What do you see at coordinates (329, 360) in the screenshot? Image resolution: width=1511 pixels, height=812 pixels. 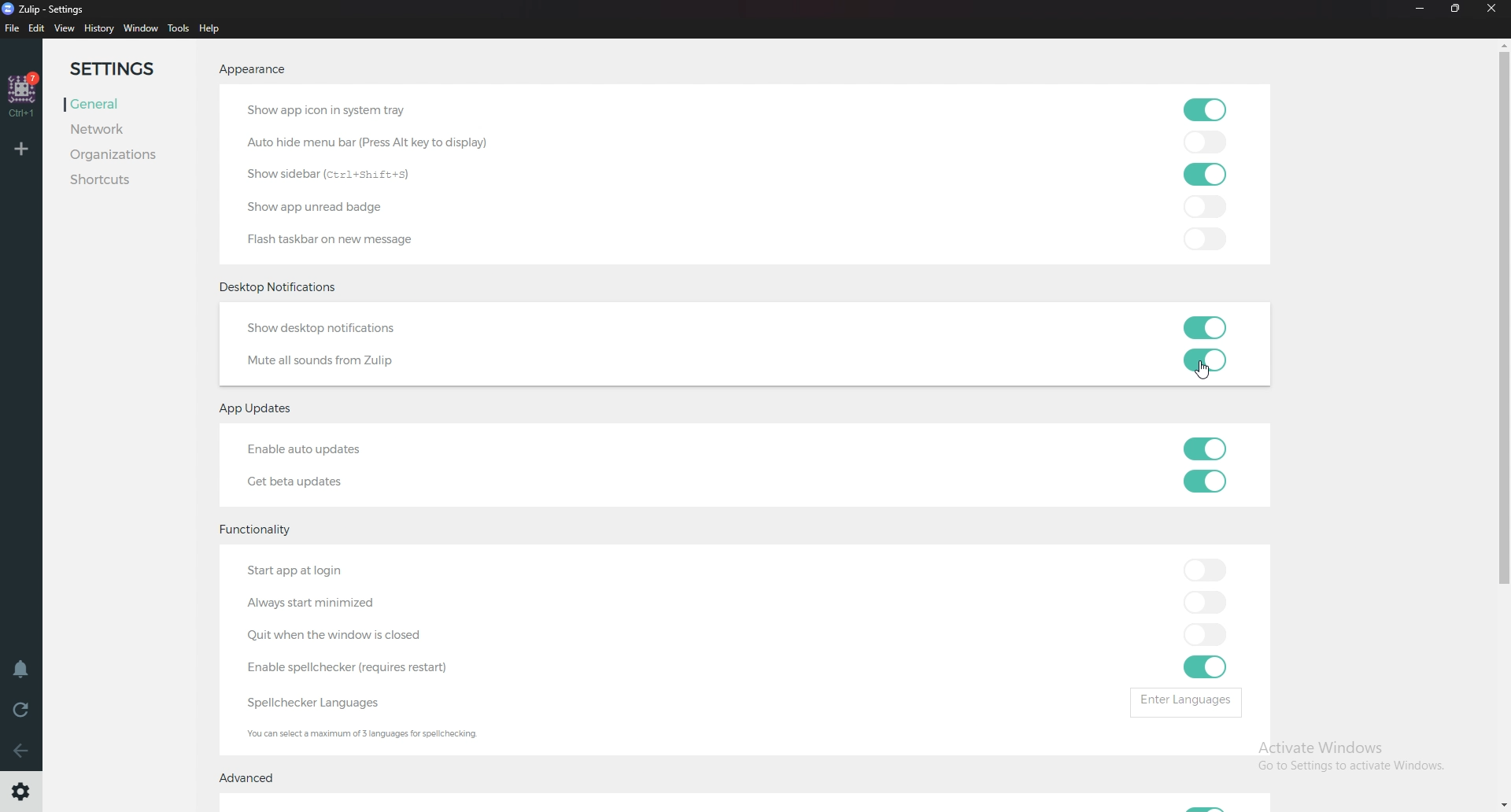 I see `Mute all sounds from Zulip` at bounding box center [329, 360].